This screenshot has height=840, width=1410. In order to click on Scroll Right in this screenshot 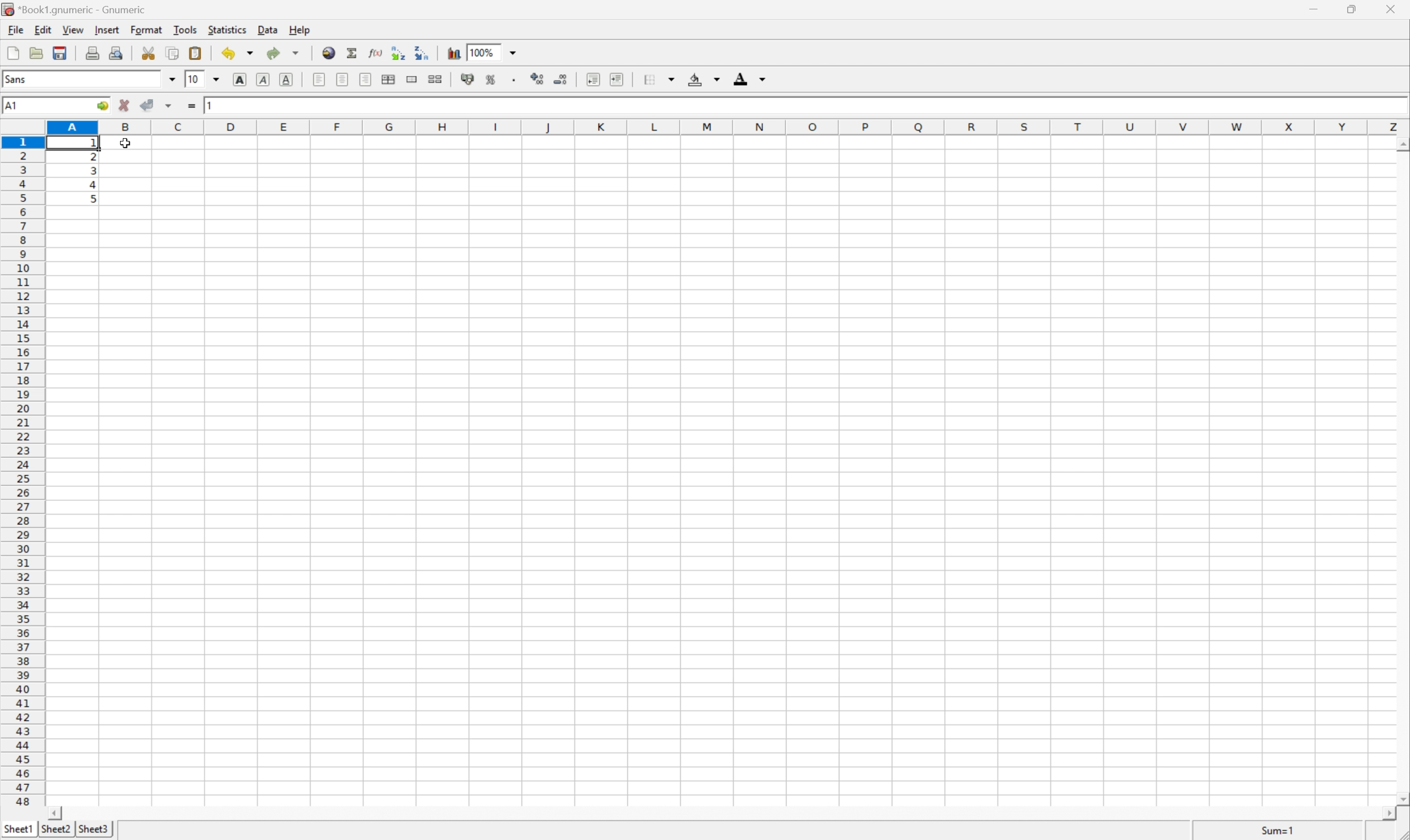, I will do `click(1381, 813)`.